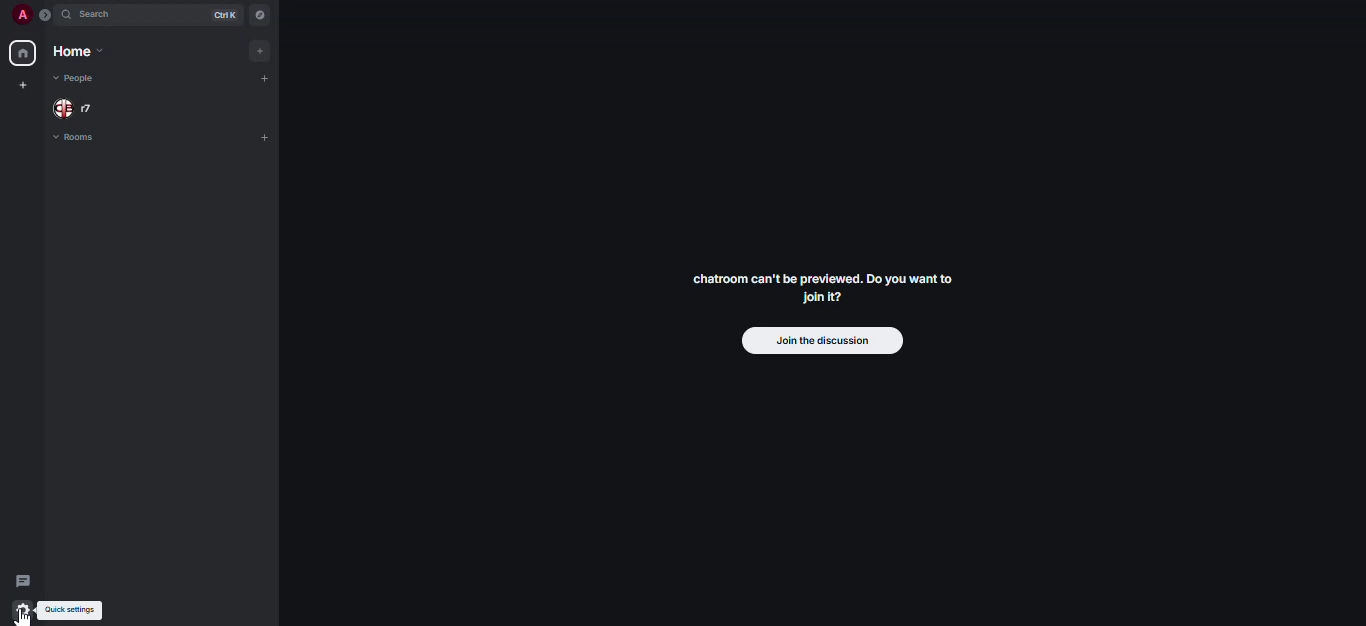 The height and width of the screenshot is (626, 1366). Describe the element at coordinates (84, 51) in the screenshot. I see `home` at that location.